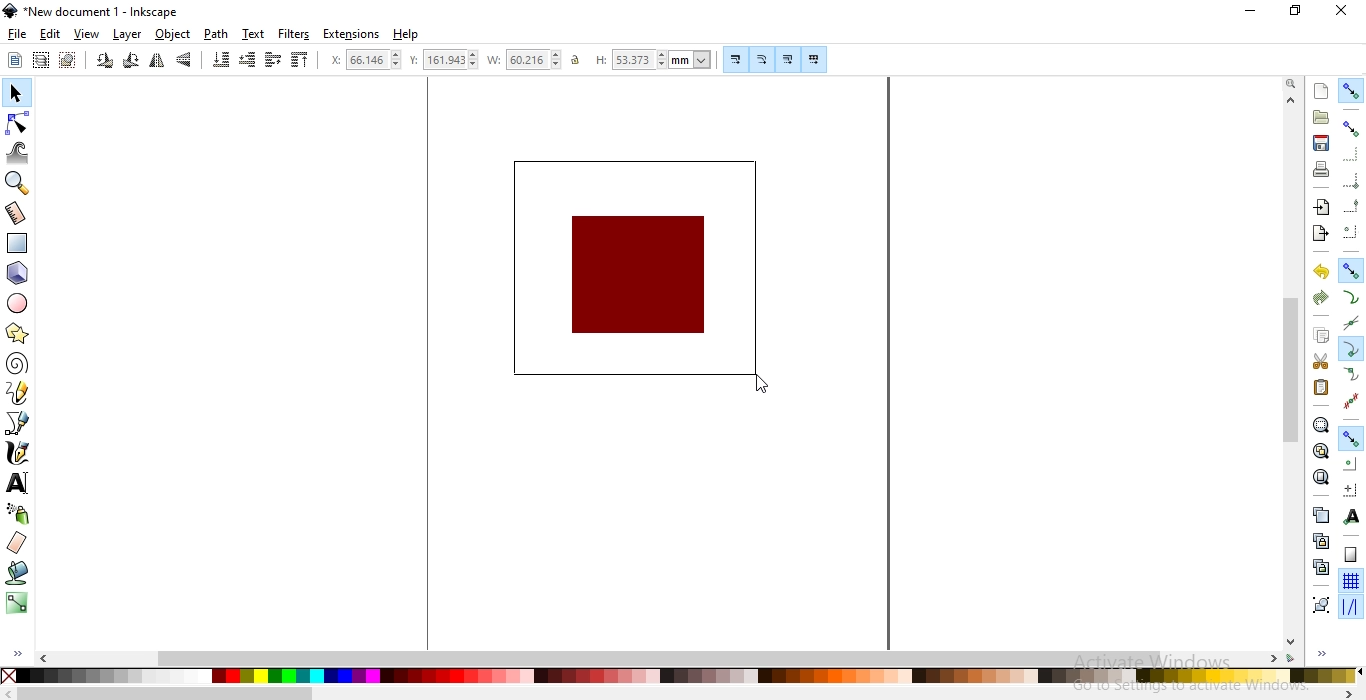 Image resolution: width=1366 pixels, height=700 pixels. Describe the element at coordinates (247, 61) in the screenshot. I see `lower selection one step` at that location.